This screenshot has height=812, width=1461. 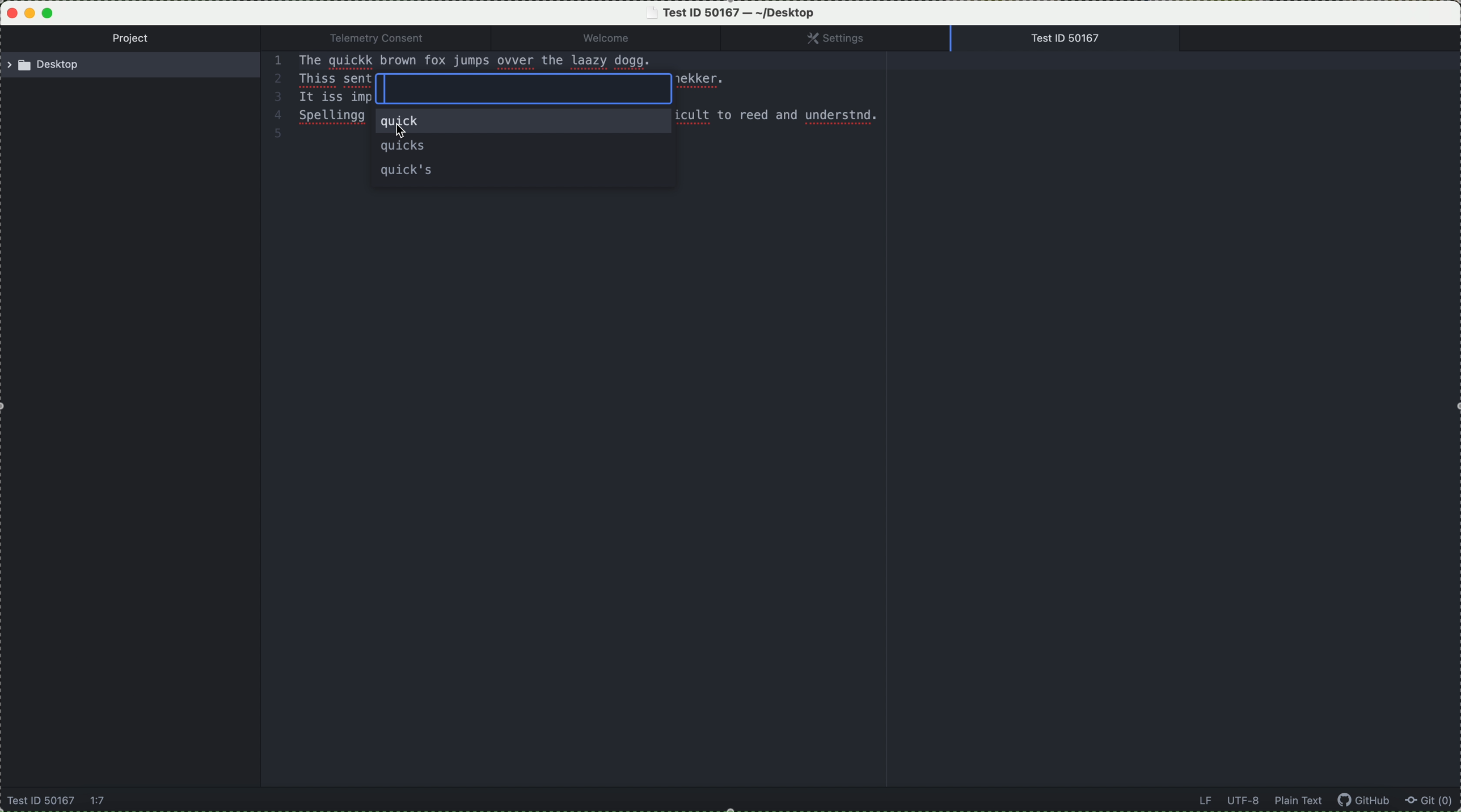 I want to click on project, so click(x=134, y=40).